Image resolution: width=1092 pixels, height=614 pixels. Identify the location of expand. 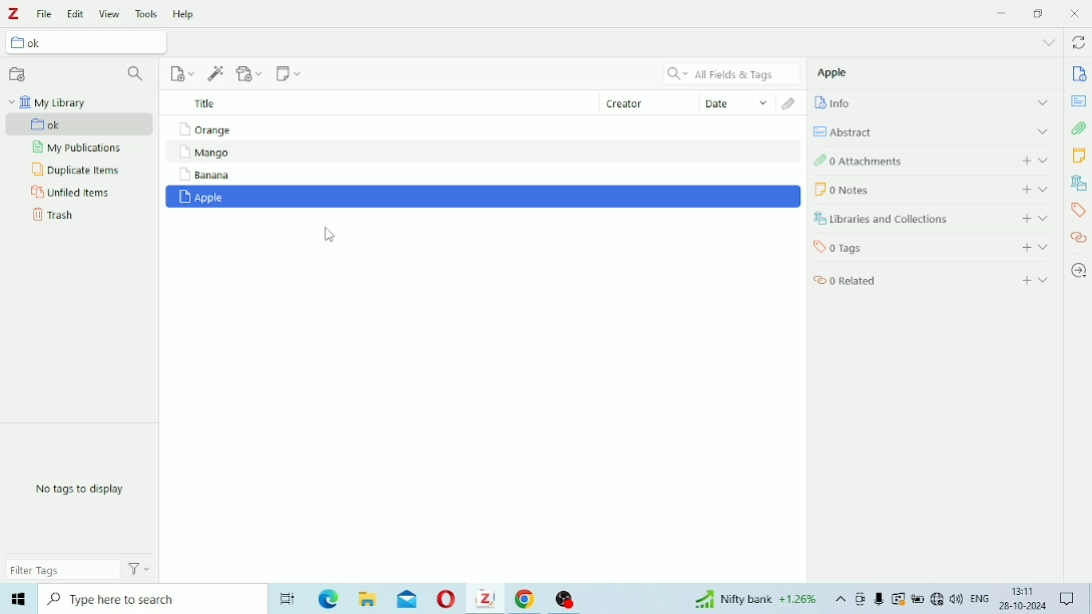
(1046, 189).